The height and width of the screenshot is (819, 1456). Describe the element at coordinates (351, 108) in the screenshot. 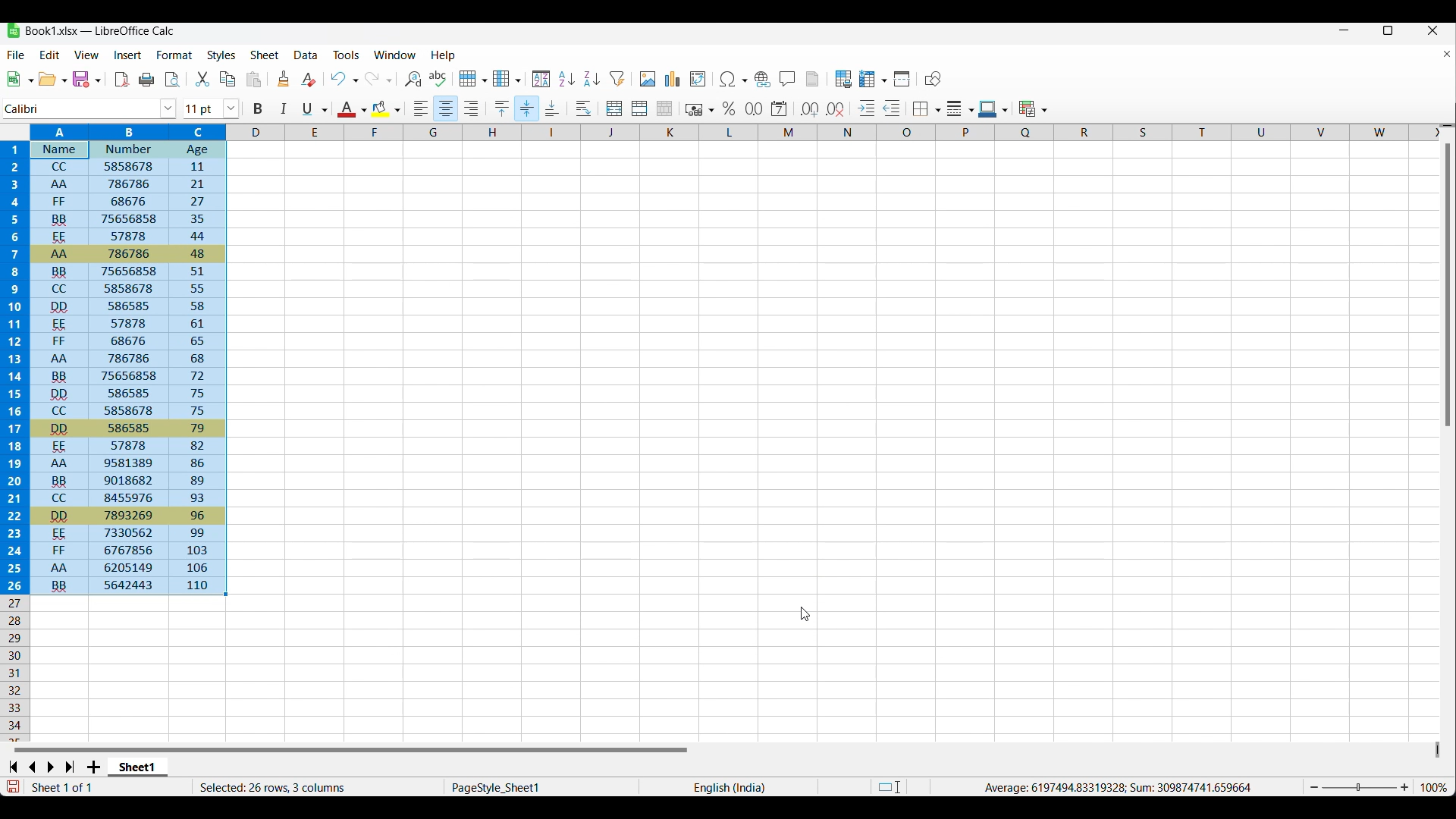

I see `Current text color and other color options` at that location.